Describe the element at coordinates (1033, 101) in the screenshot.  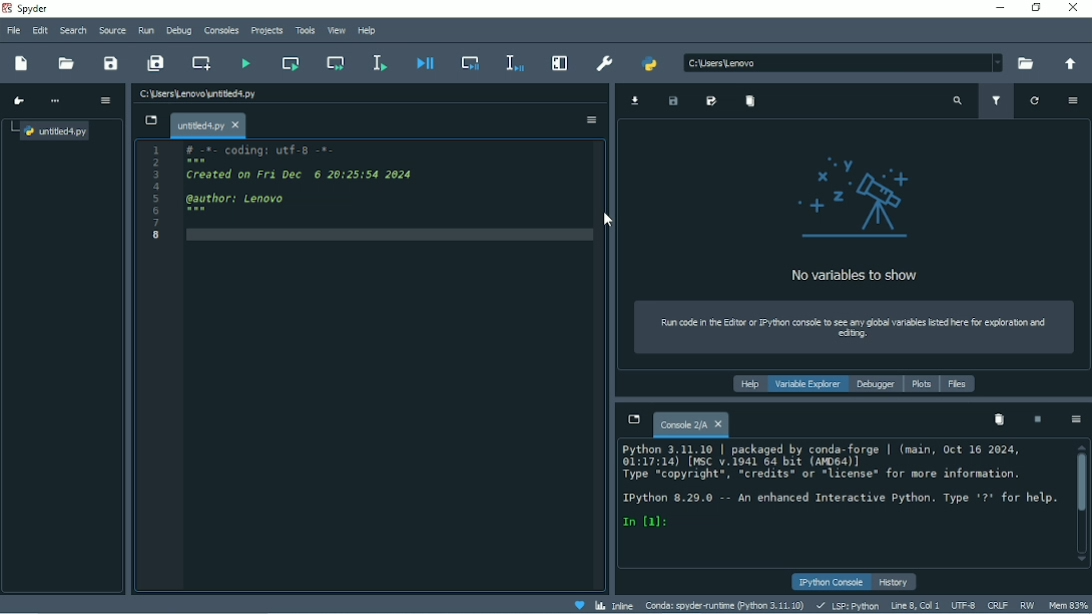
I see `Refresh variables` at that location.